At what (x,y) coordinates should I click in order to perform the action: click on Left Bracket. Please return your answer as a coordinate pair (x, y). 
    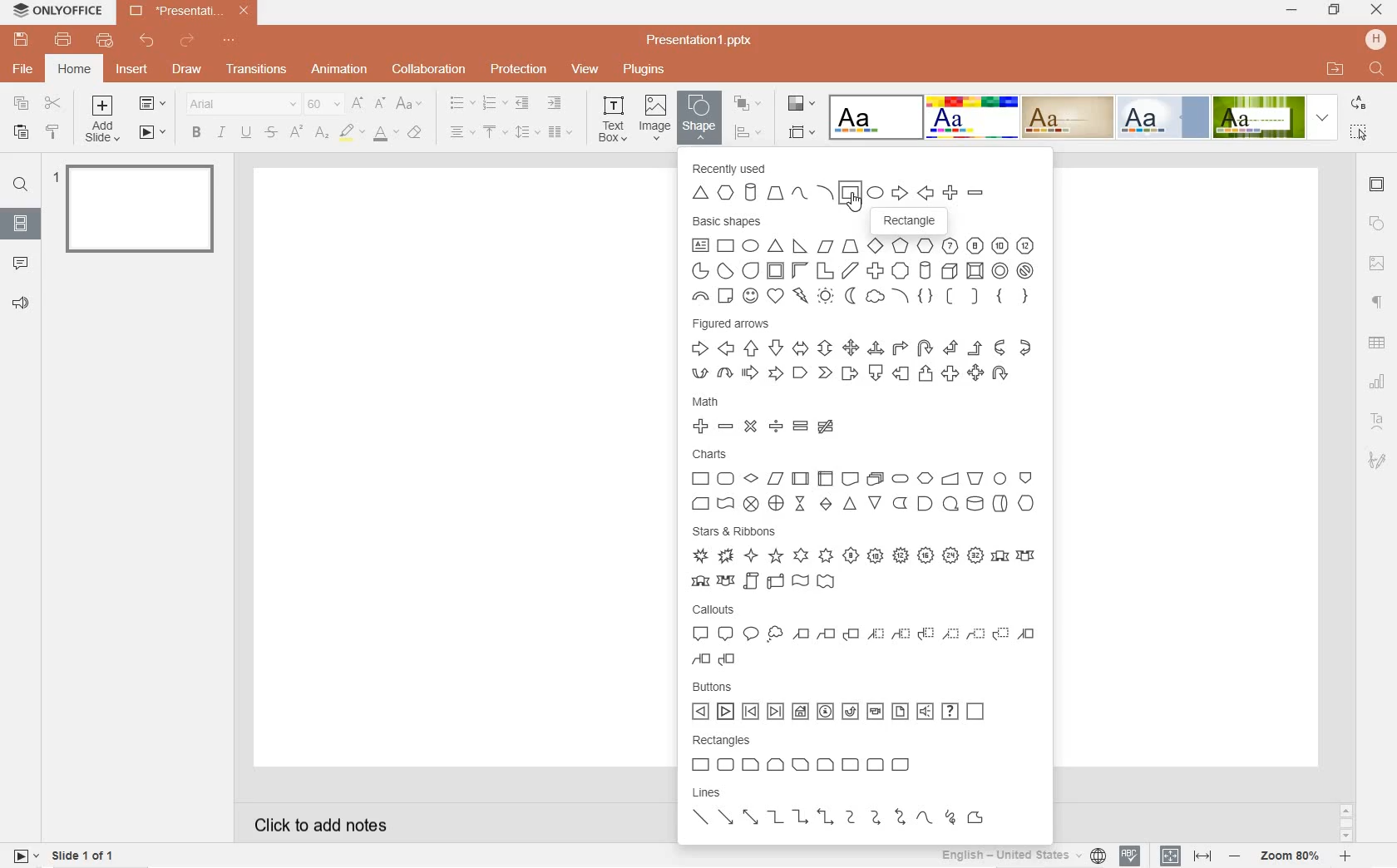
    Looking at the image, I should click on (951, 296).